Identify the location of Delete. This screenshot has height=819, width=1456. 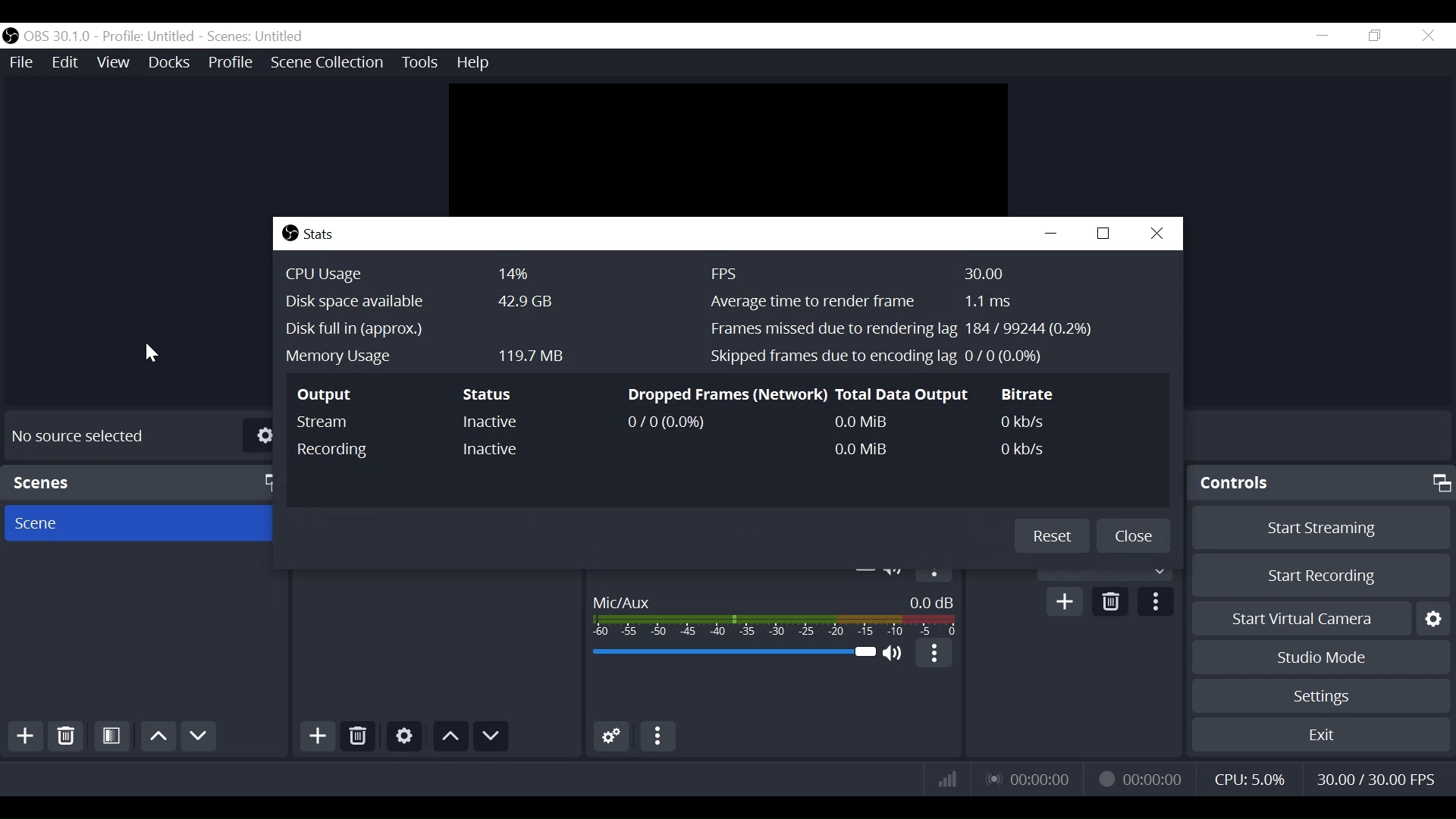
(357, 735).